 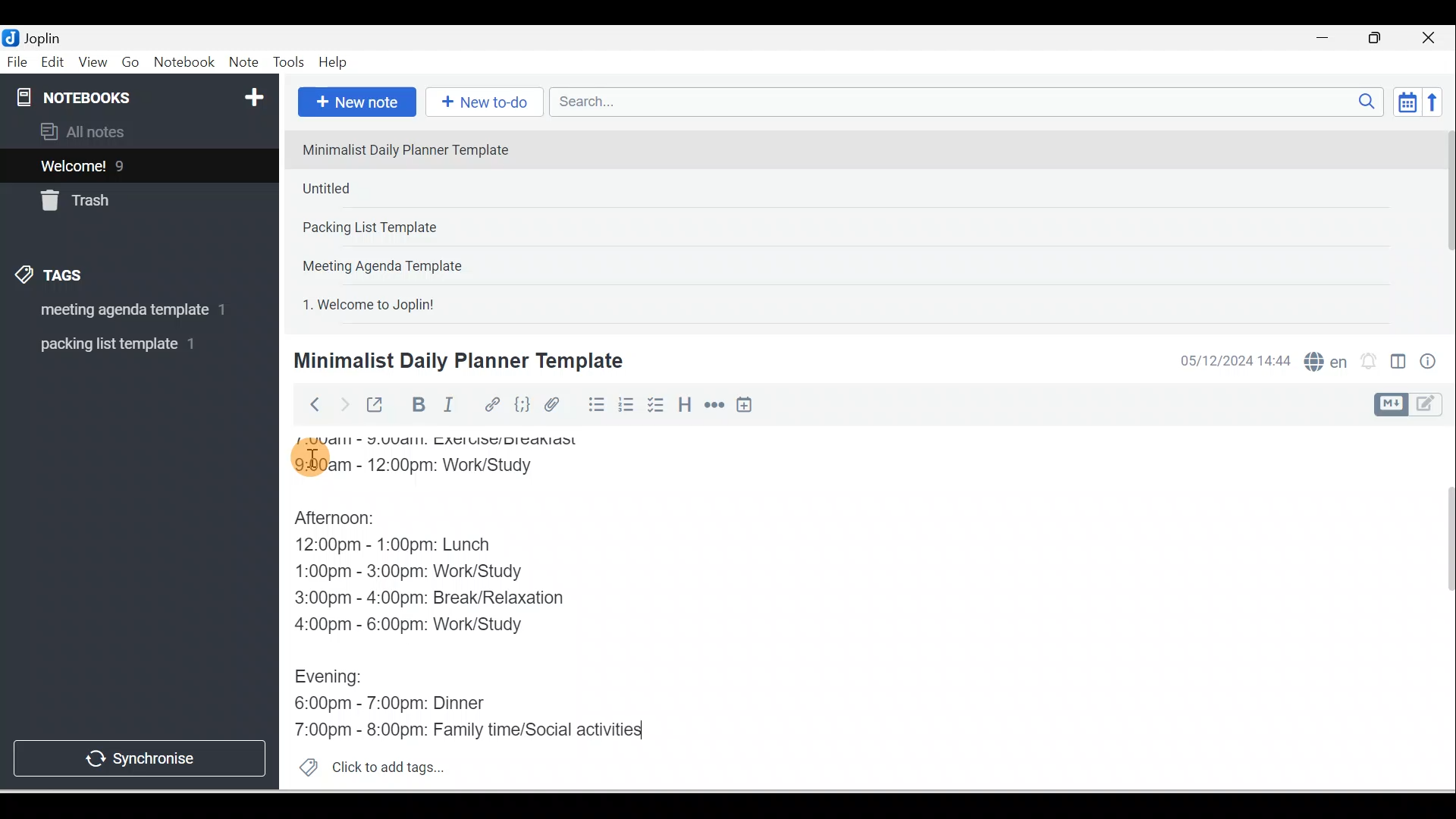 What do you see at coordinates (366, 765) in the screenshot?
I see `Click to add tags` at bounding box center [366, 765].